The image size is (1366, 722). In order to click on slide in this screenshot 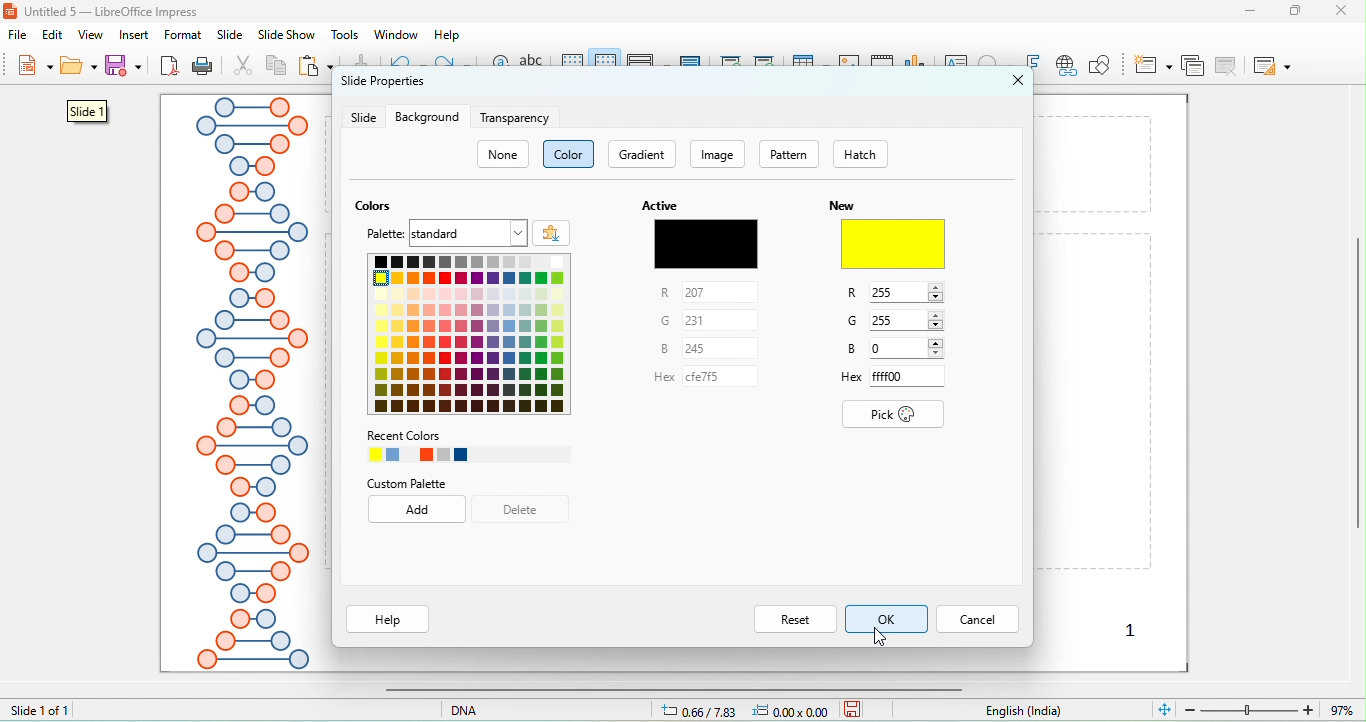, I will do `click(363, 118)`.